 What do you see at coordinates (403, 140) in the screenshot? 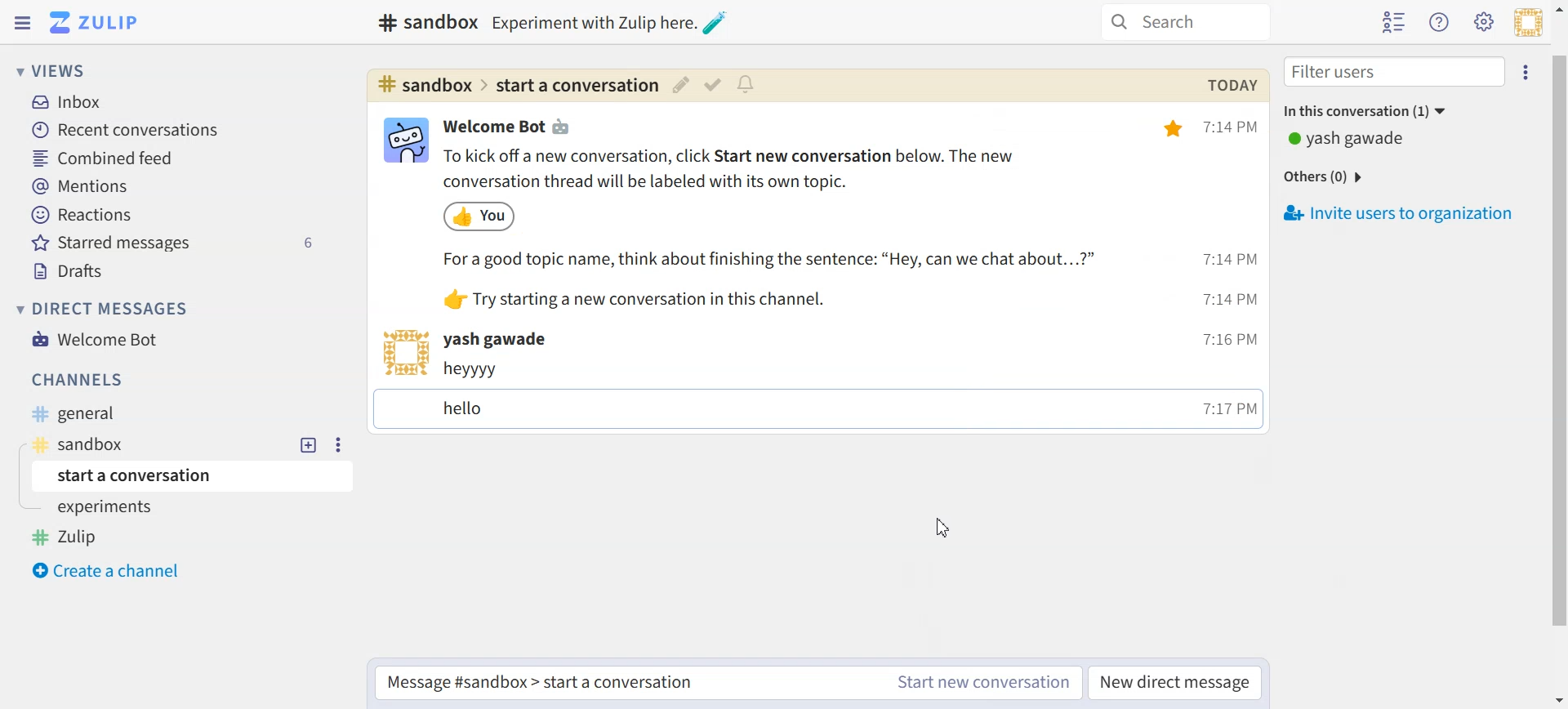
I see `View bot card` at bounding box center [403, 140].